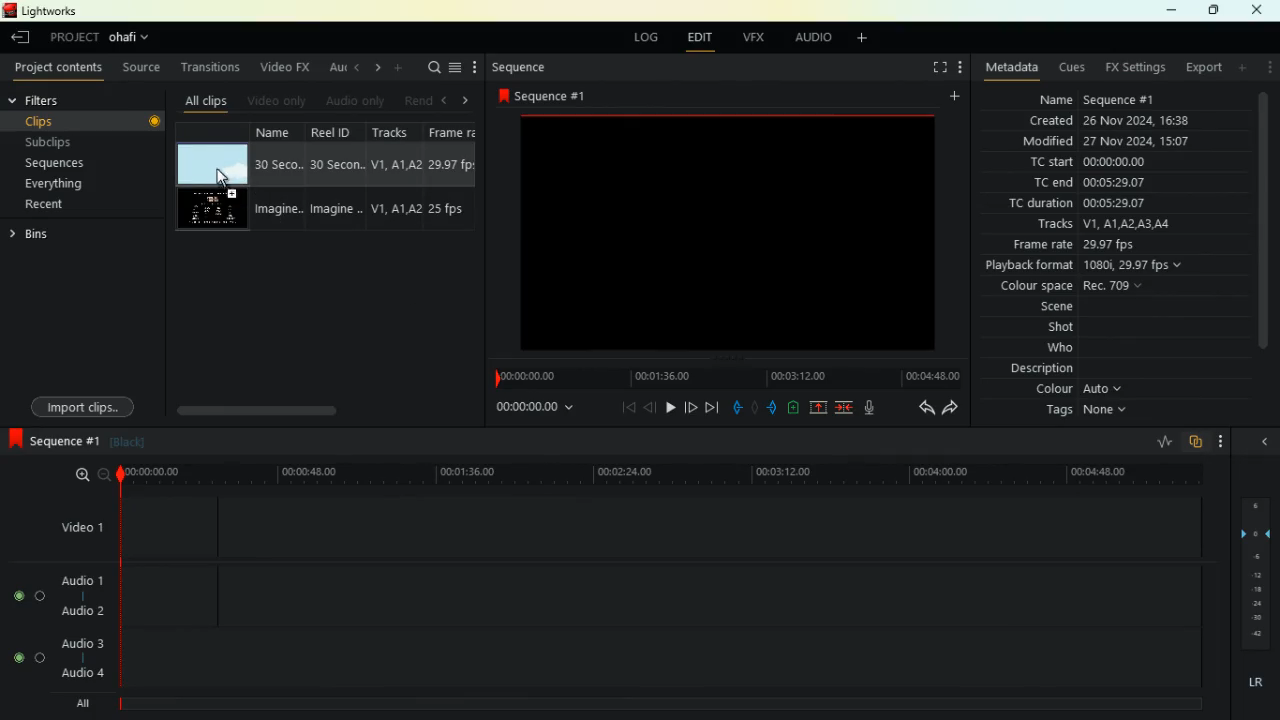  Describe the element at coordinates (213, 67) in the screenshot. I see `transitions` at that location.